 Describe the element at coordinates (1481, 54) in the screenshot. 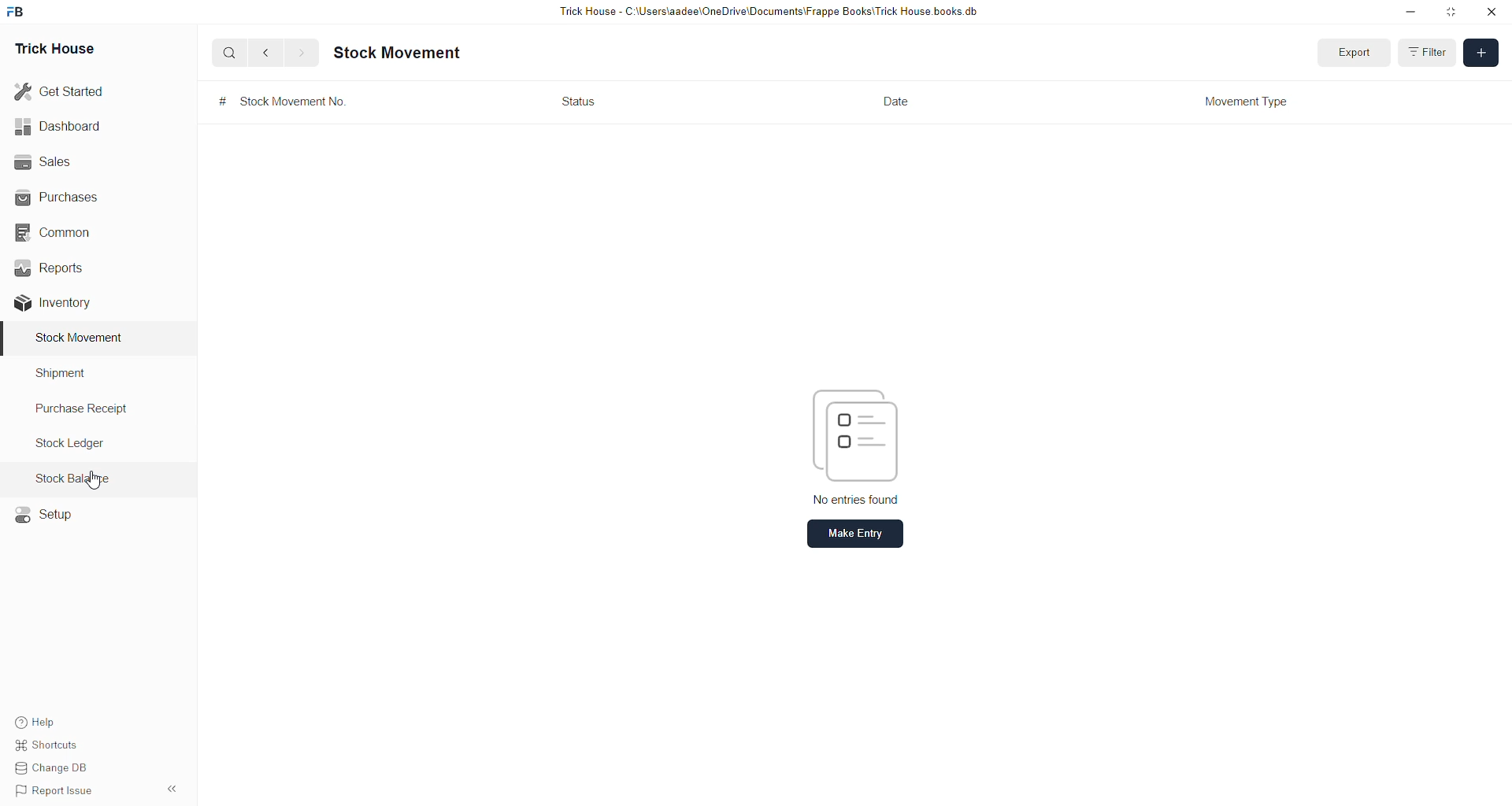

I see `Add` at that location.